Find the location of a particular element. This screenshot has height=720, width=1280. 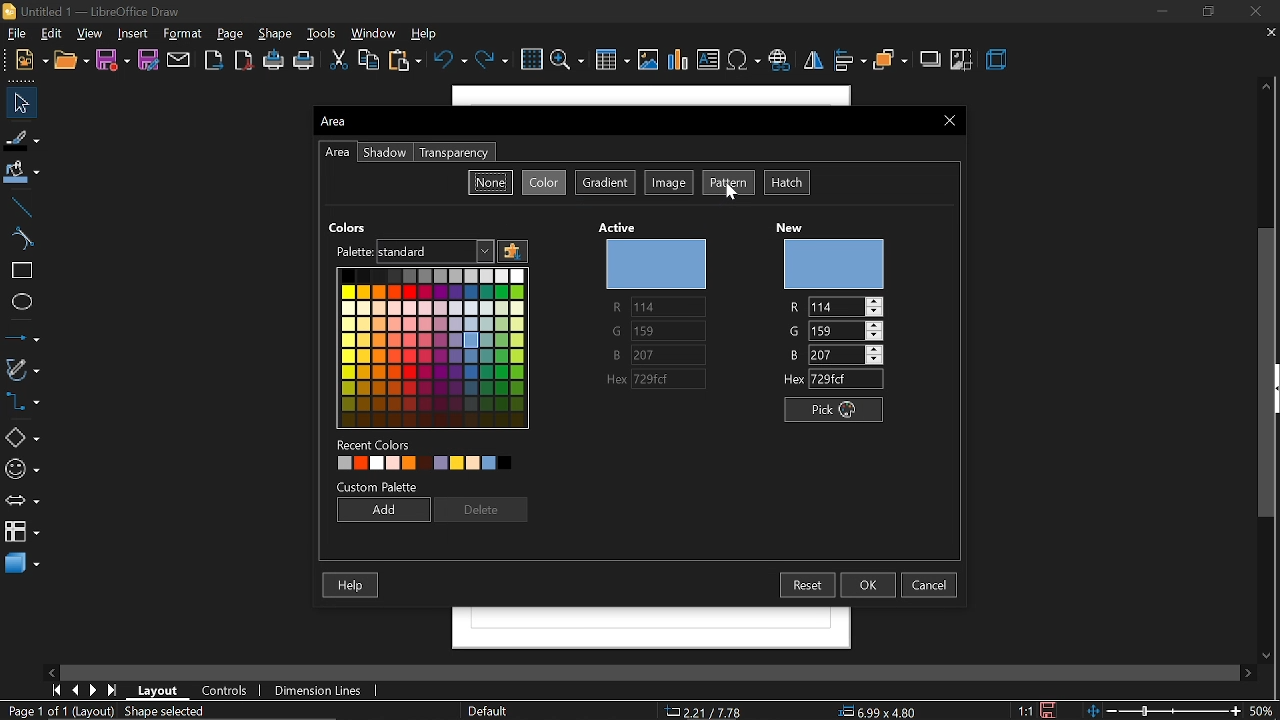

move down is located at coordinates (1270, 653).